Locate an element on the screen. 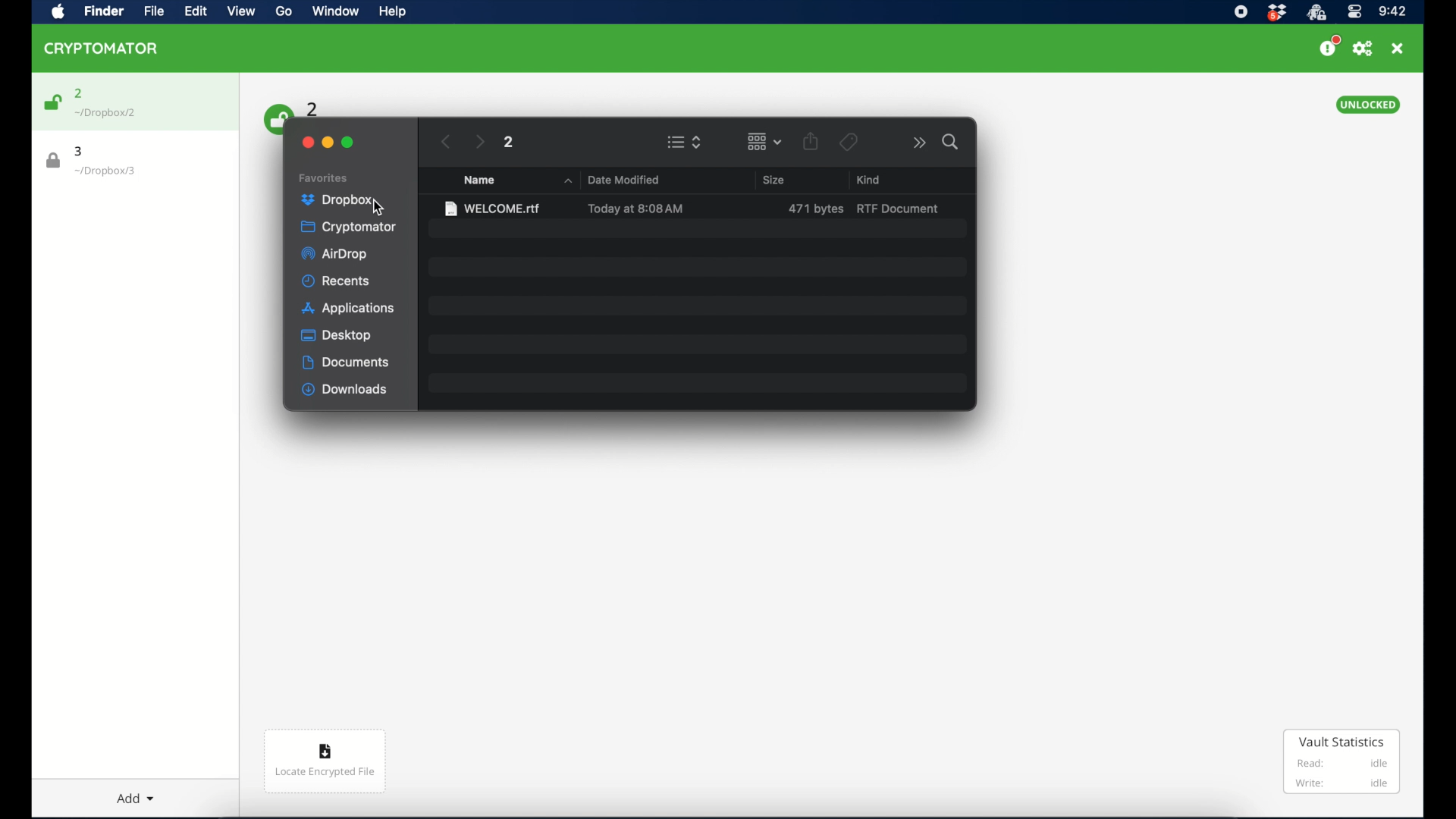  view options is located at coordinates (684, 142).